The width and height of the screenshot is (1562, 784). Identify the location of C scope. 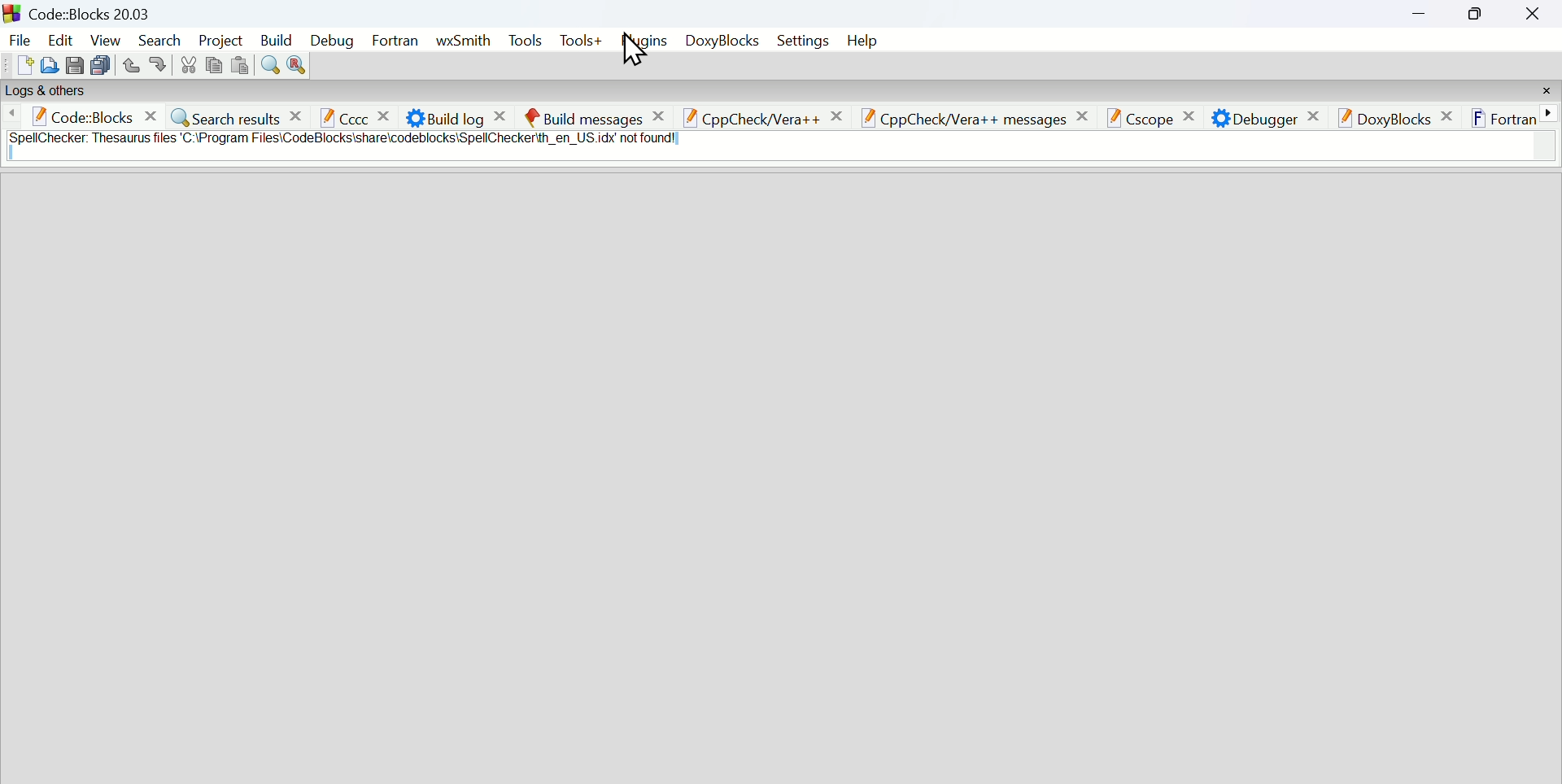
(1153, 114).